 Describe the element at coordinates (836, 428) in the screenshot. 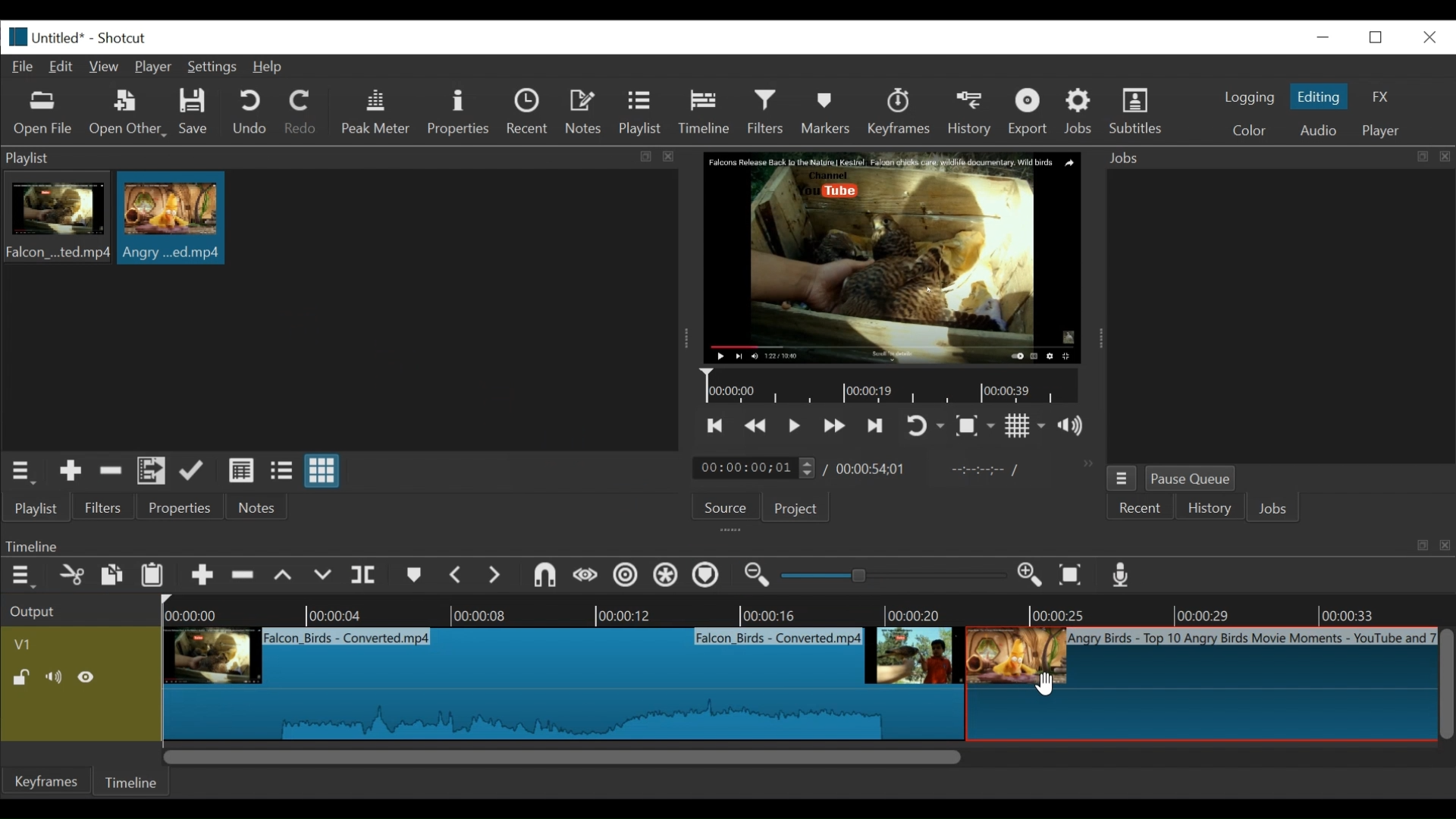

I see `play forward quickly` at that location.